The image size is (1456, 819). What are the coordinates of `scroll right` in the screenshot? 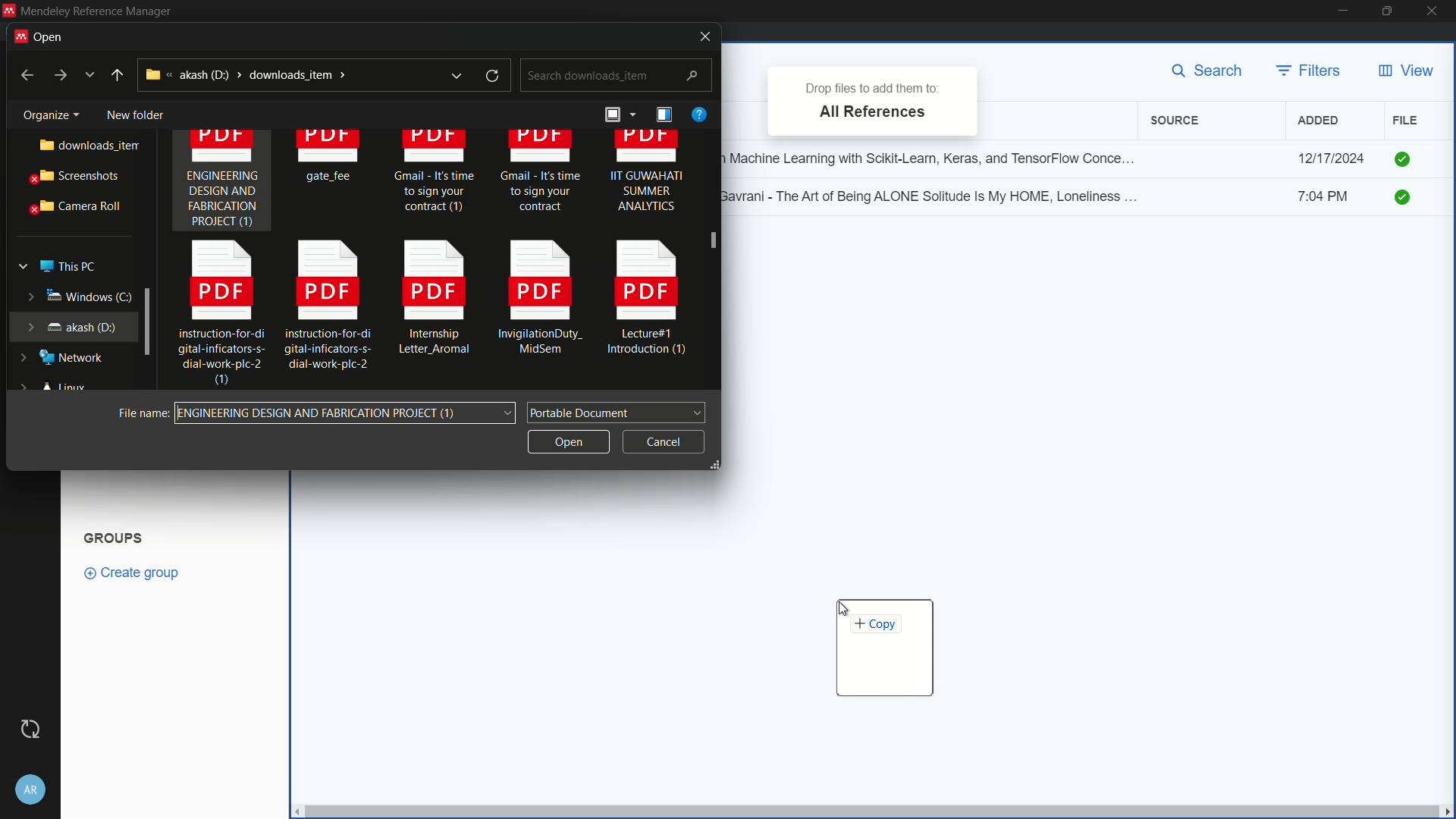 It's located at (1447, 811).